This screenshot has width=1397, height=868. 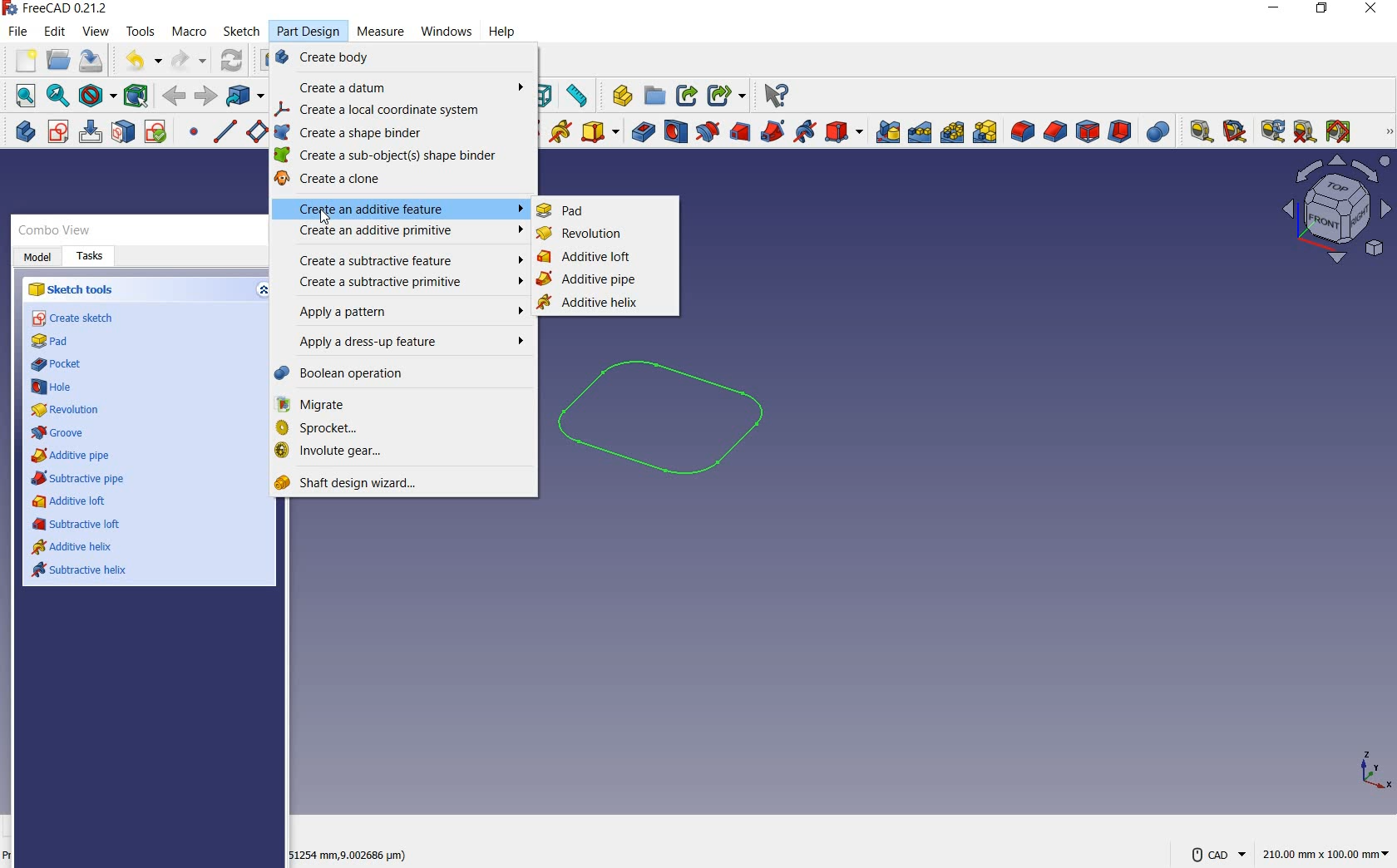 What do you see at coordinates (190, 31) in the screenshot?
I see `macro` at bounding box center [190, 31].